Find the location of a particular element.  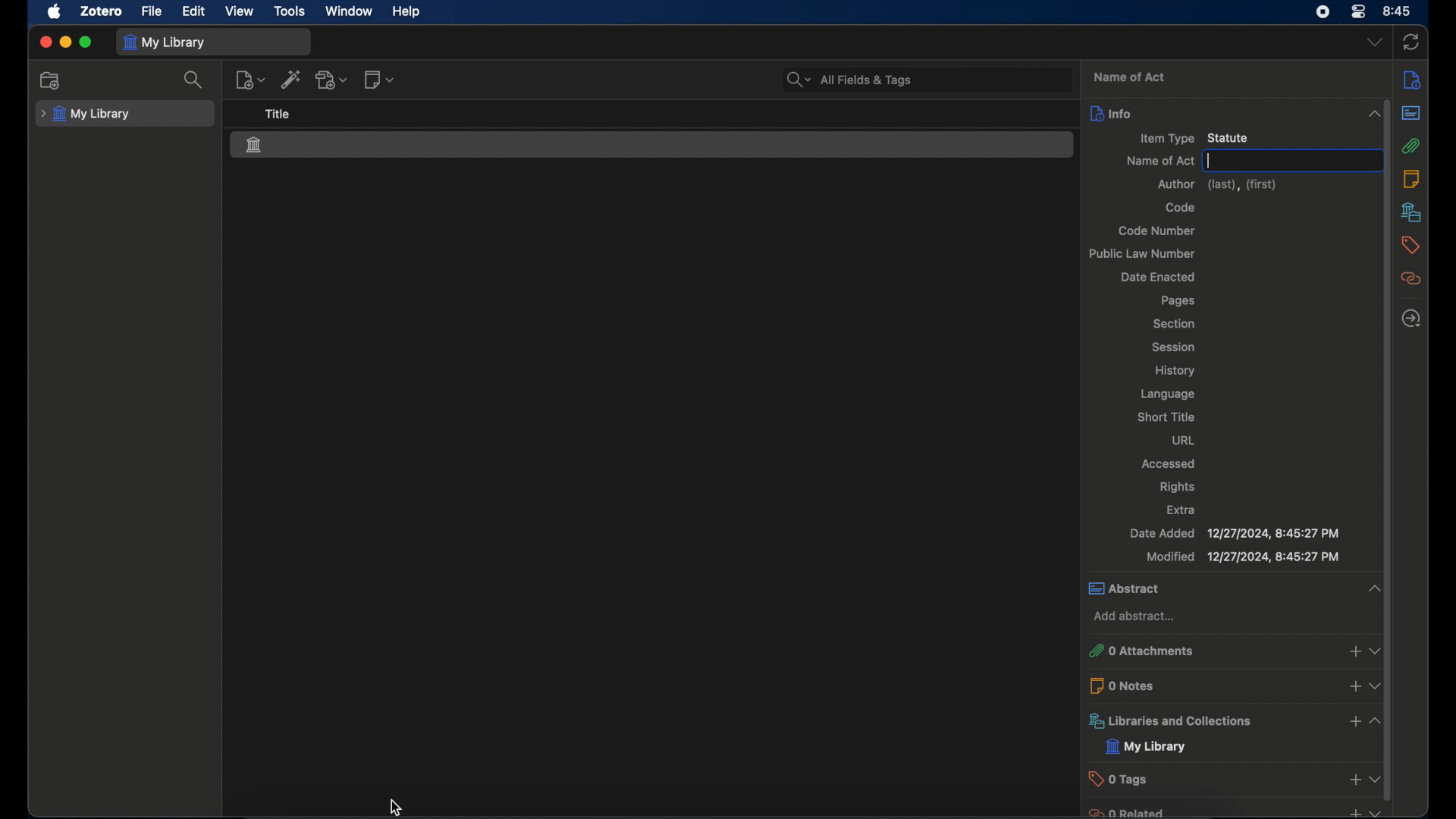

text input is located at coordinates (1285, 161).